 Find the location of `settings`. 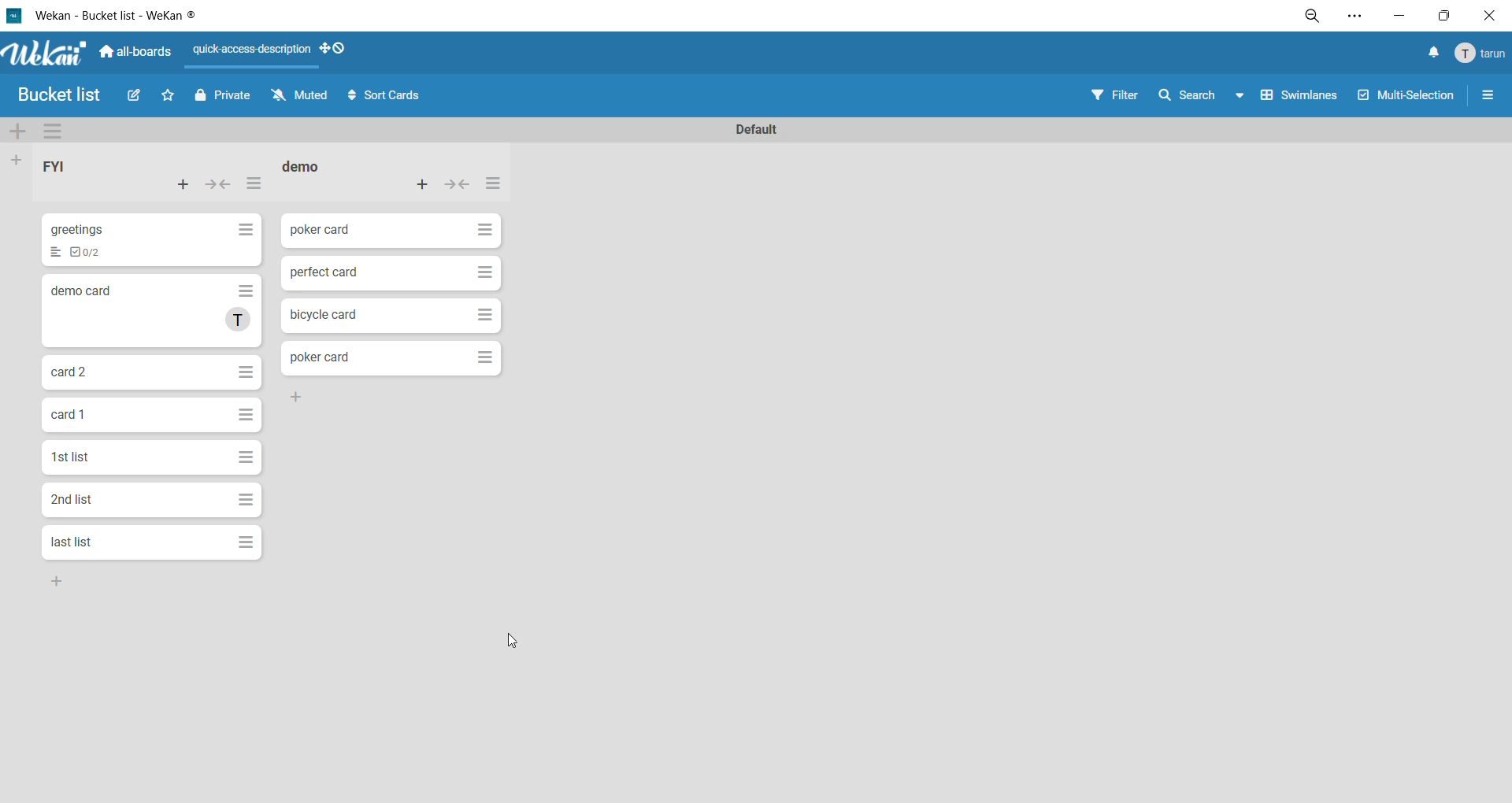

settings is located at coordinates (1354, 17).